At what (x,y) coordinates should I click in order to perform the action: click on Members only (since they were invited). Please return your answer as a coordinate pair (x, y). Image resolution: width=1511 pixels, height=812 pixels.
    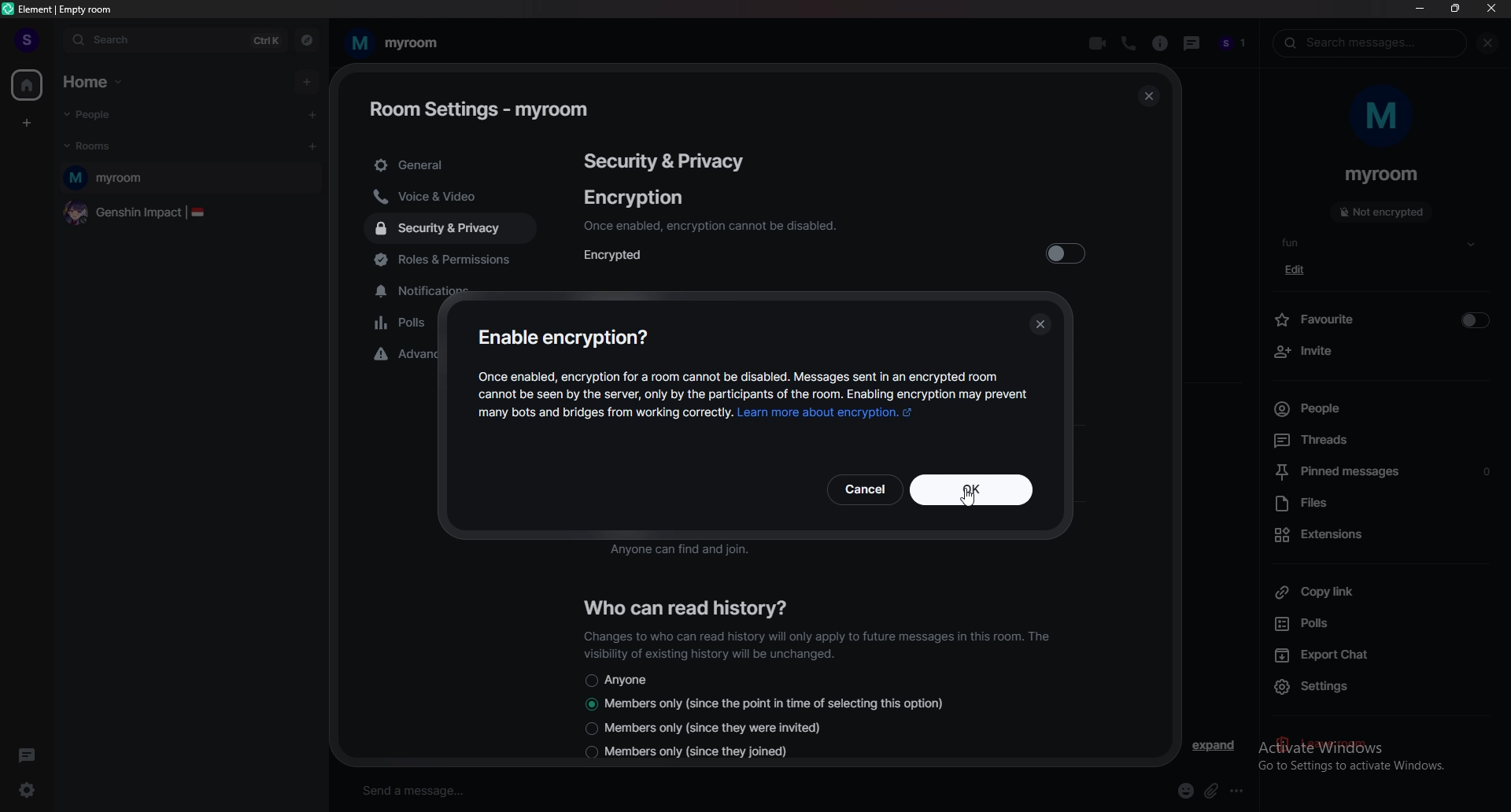
    Looking at the image, I should click on (702, 728).